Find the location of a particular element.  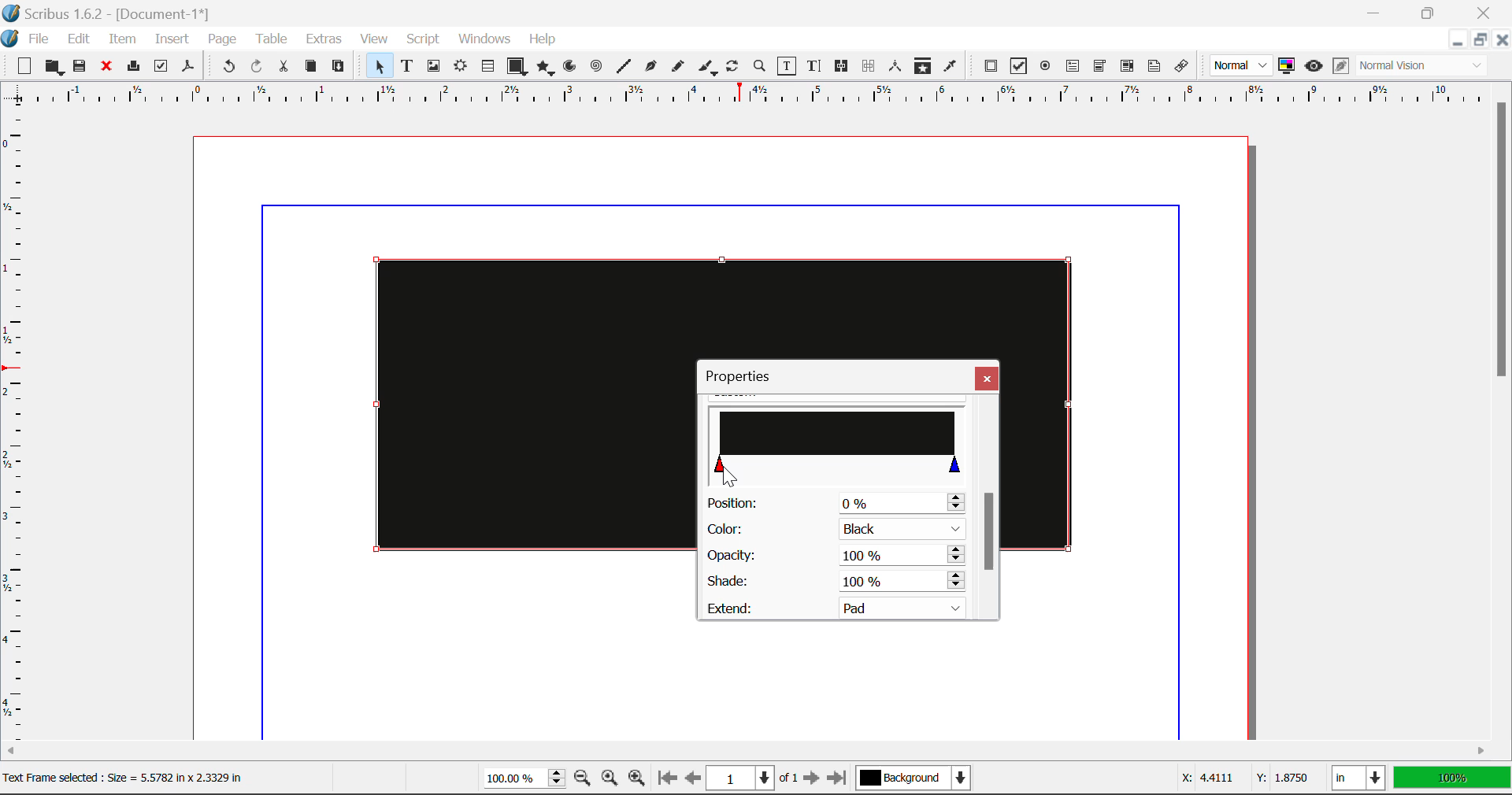

Display Measurement is located at coordinates (1452, 780).